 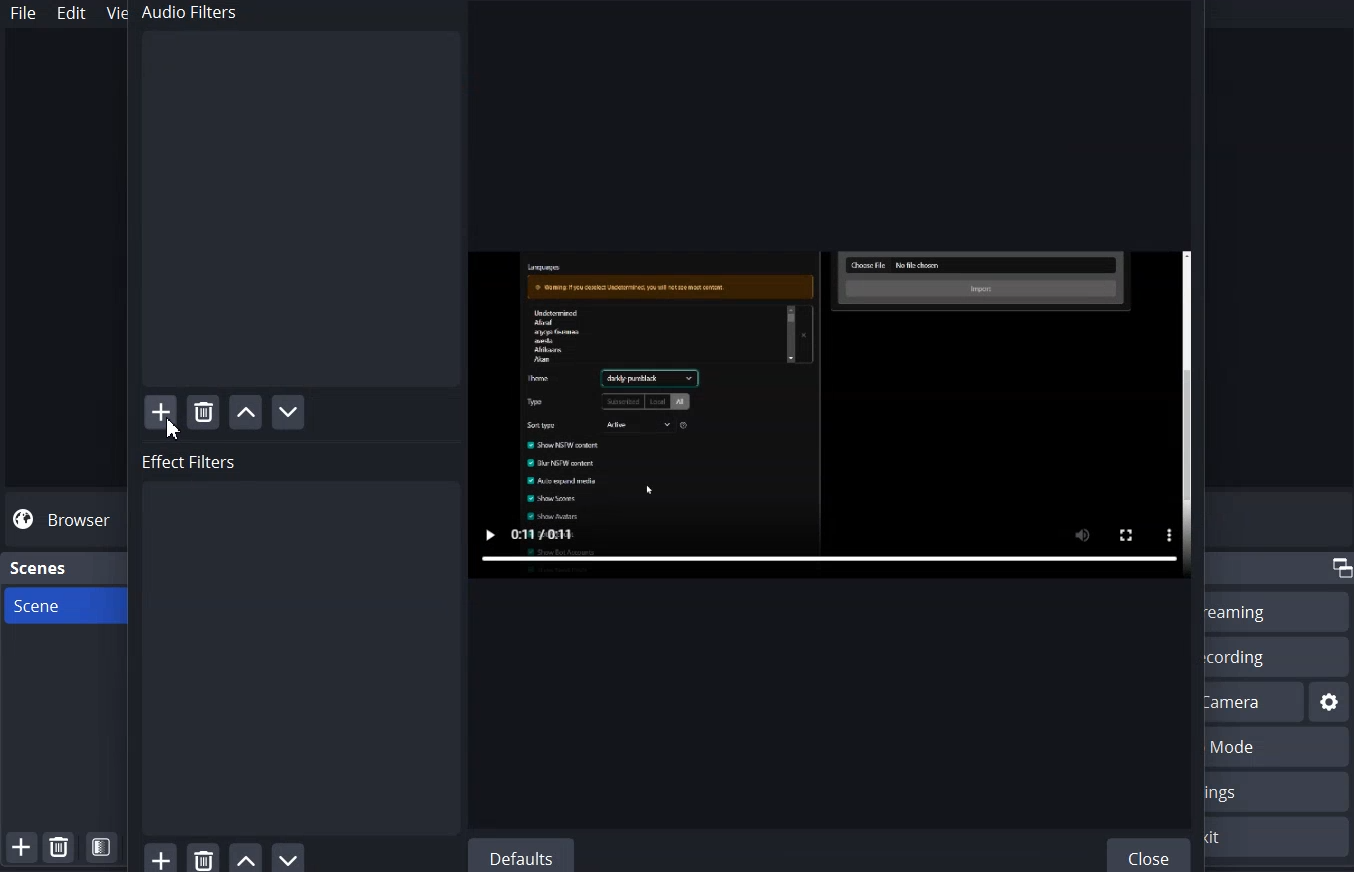 What do you see at coordinates (1275, 656) in the screenshot?
I see `Start Recording` at bounding box center [1275, 656].